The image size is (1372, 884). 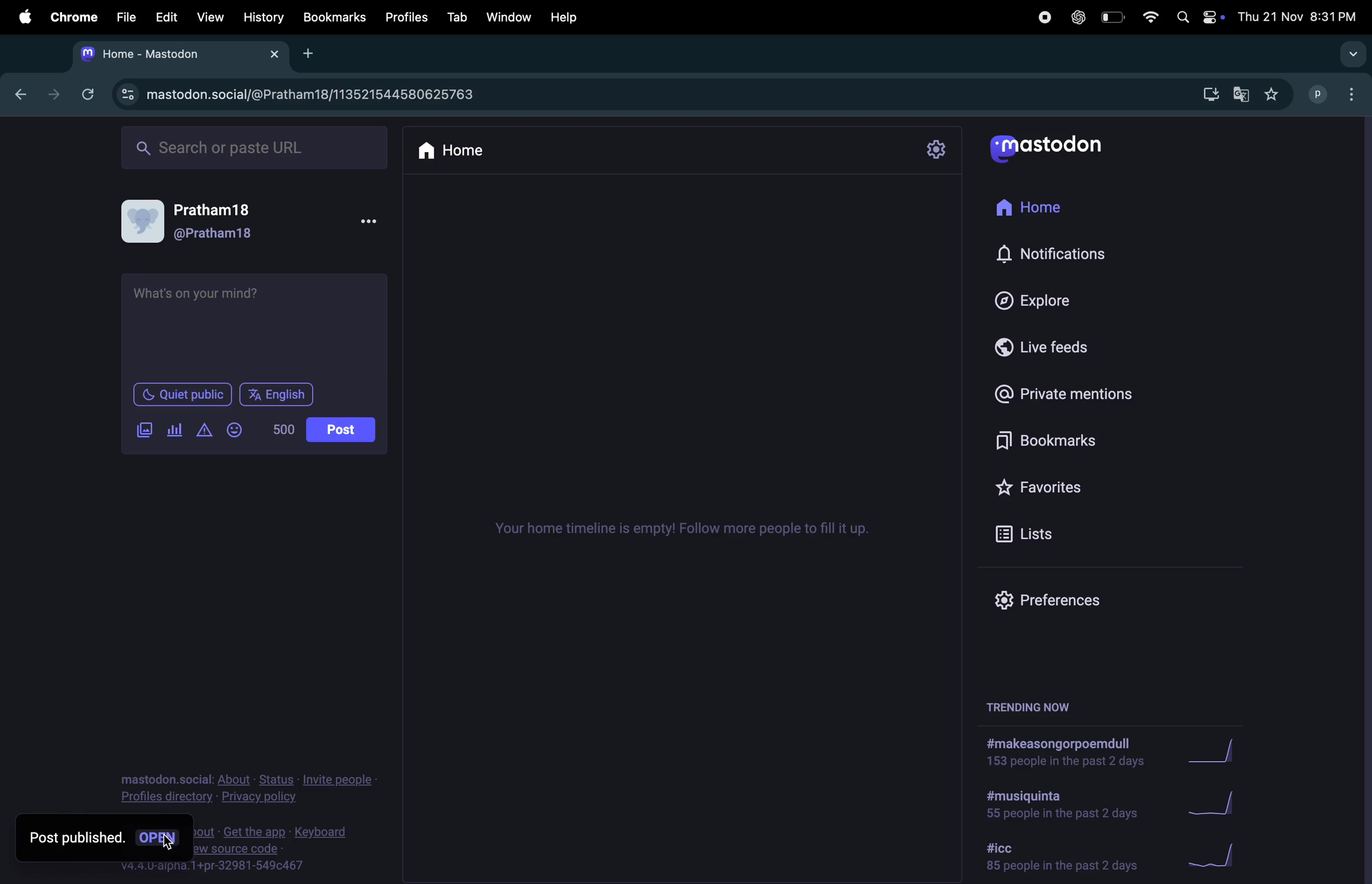 What do you see at coordinates (457, 17) in the screenshot?
I see `tab` at bounding box center [457, 17].